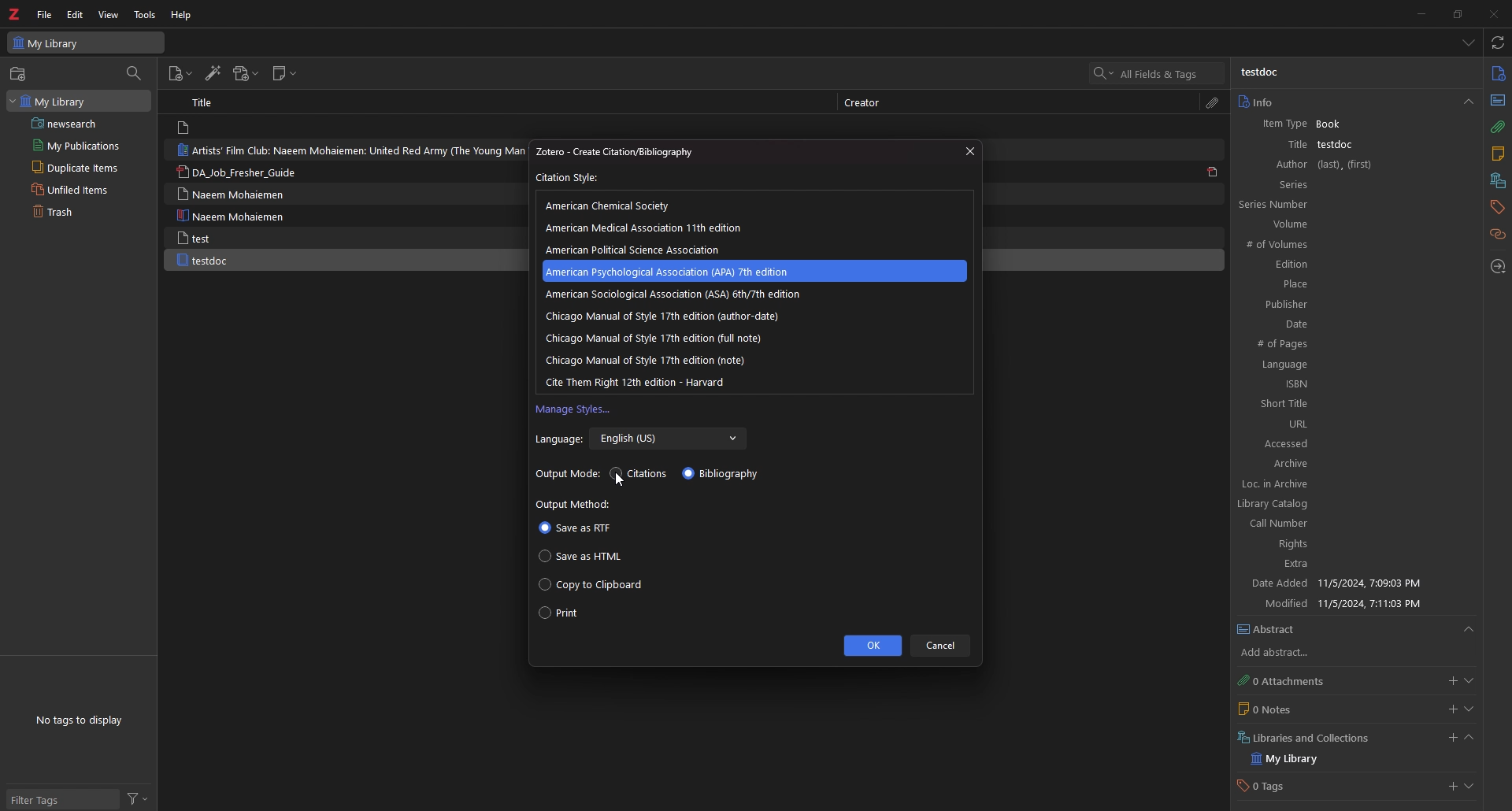 The width and height of the screenshot is (1512, 811). What do you see at coordinates (1278, 787) in the screenshot?
I see `0 Tags` at bounding box center [1278, 787].